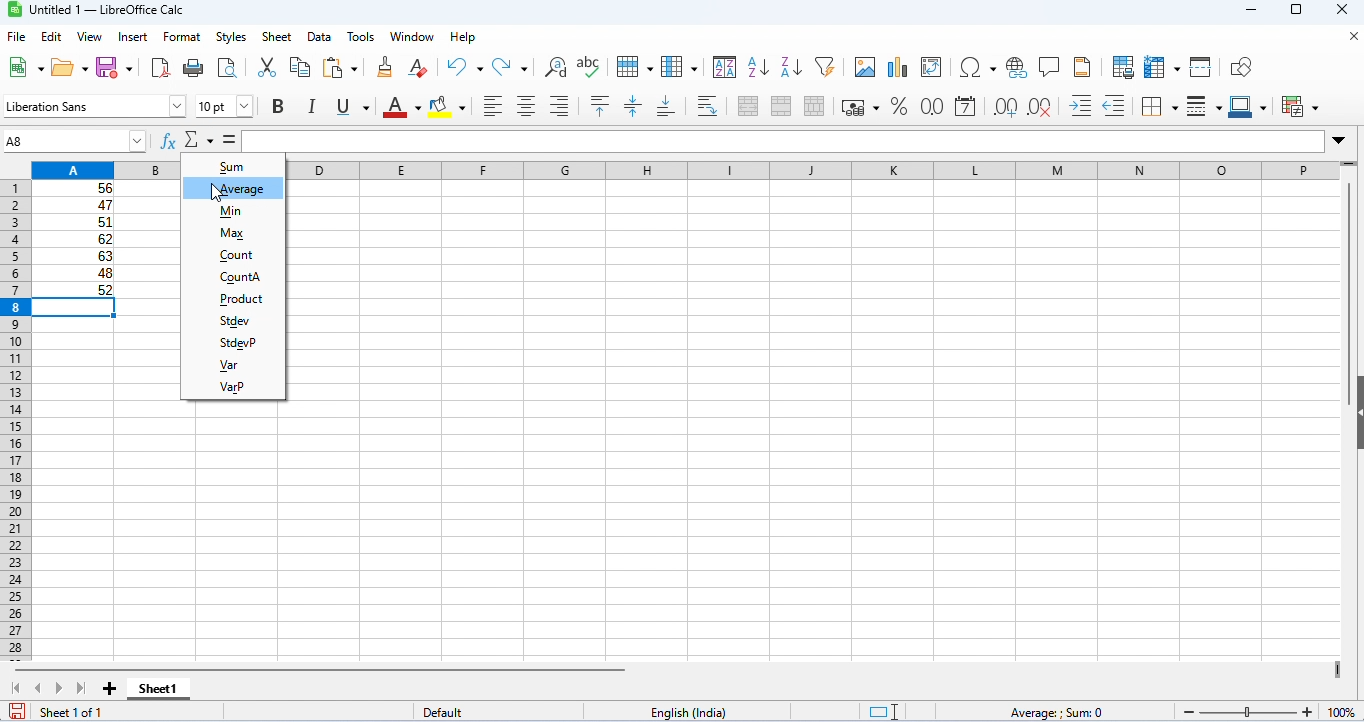 The height and width of the screenshot is (722, 1364). Describe the element at coordinates (493, 106) in the screenshot. I see `align left` at that location.